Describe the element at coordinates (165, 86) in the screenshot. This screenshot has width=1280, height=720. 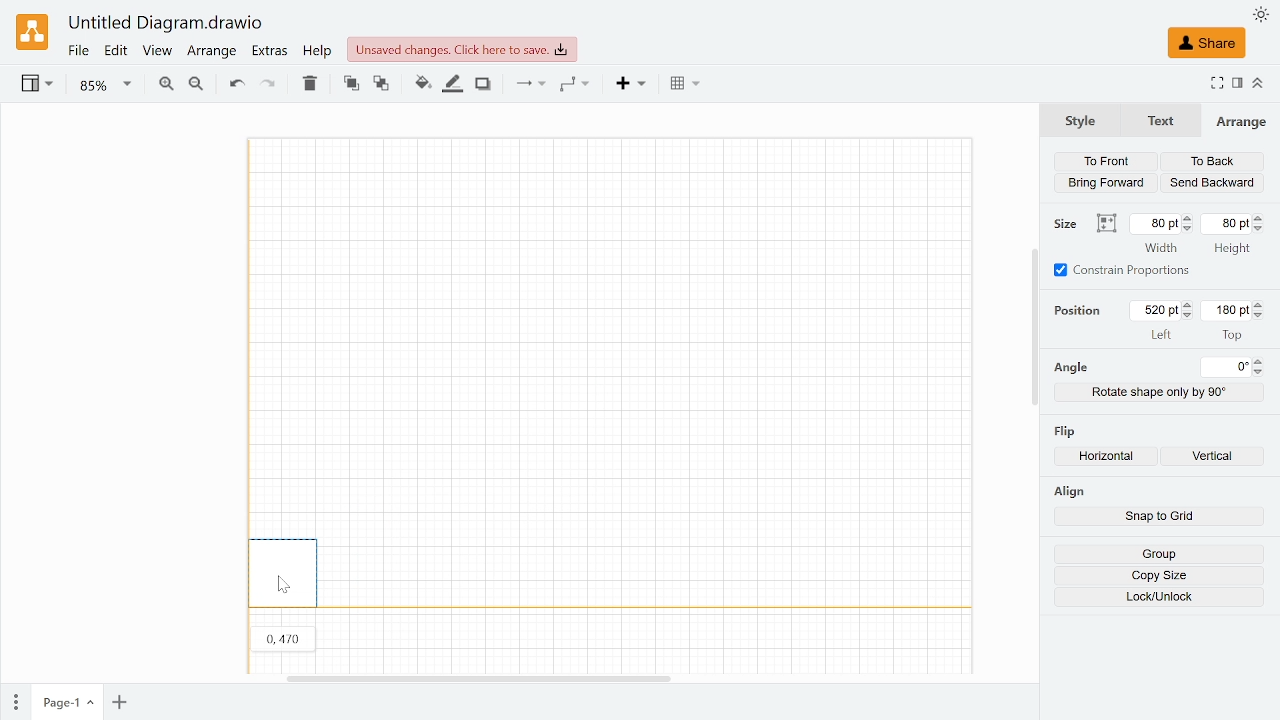
I see `Zoom in` at that location.